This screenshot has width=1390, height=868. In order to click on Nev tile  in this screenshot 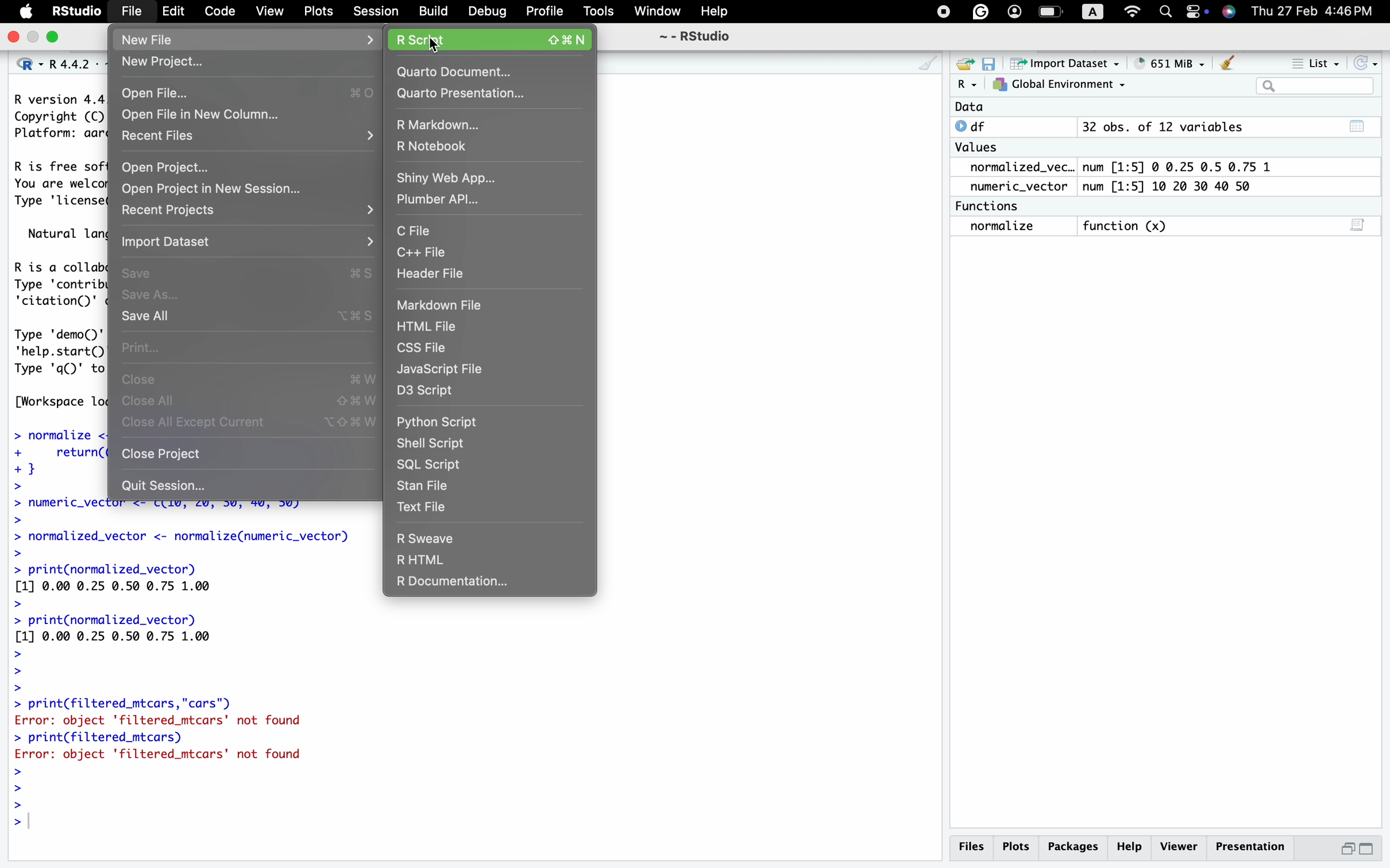, I will do `click(238, 37)`.